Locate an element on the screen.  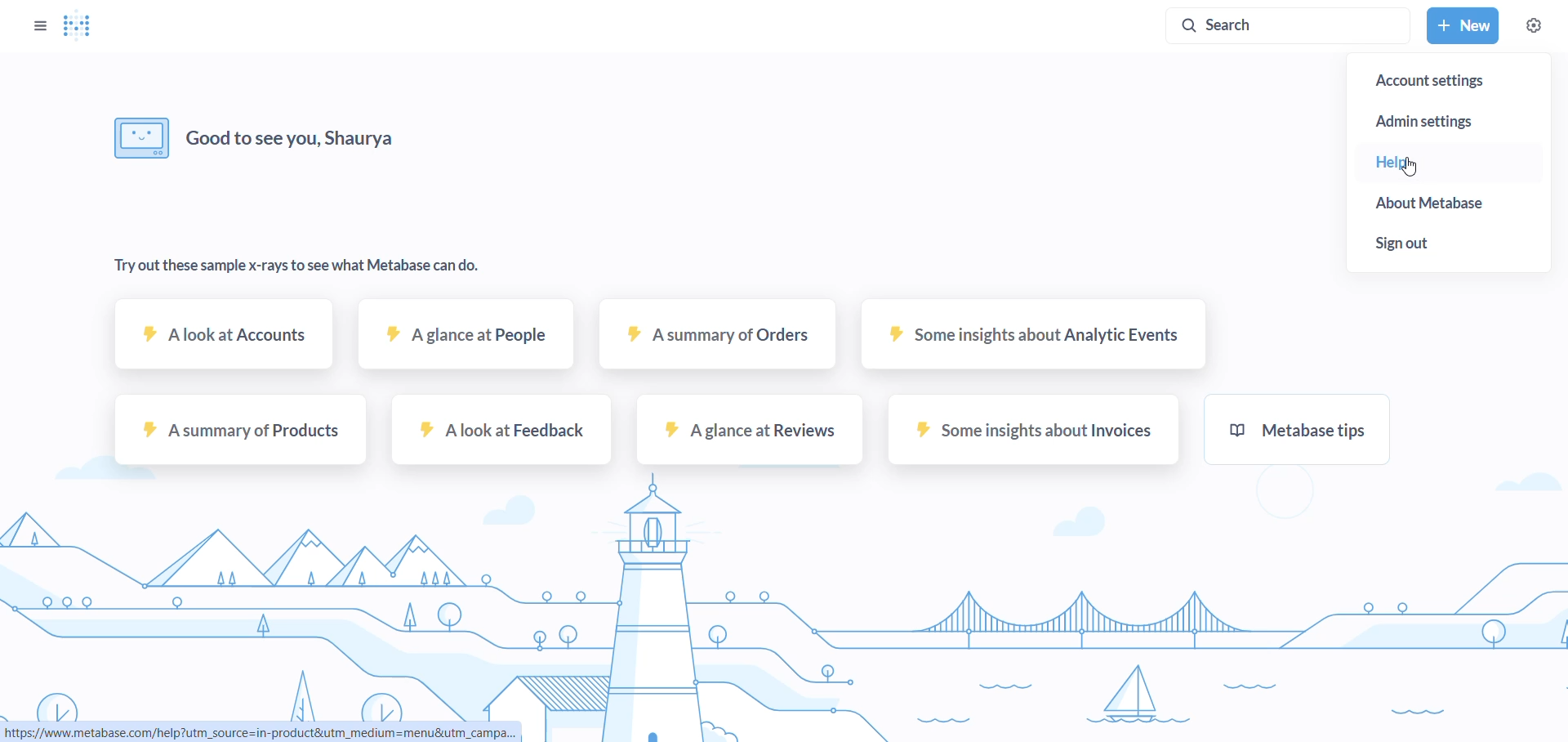
search button is located at coordinates (1285, 26).